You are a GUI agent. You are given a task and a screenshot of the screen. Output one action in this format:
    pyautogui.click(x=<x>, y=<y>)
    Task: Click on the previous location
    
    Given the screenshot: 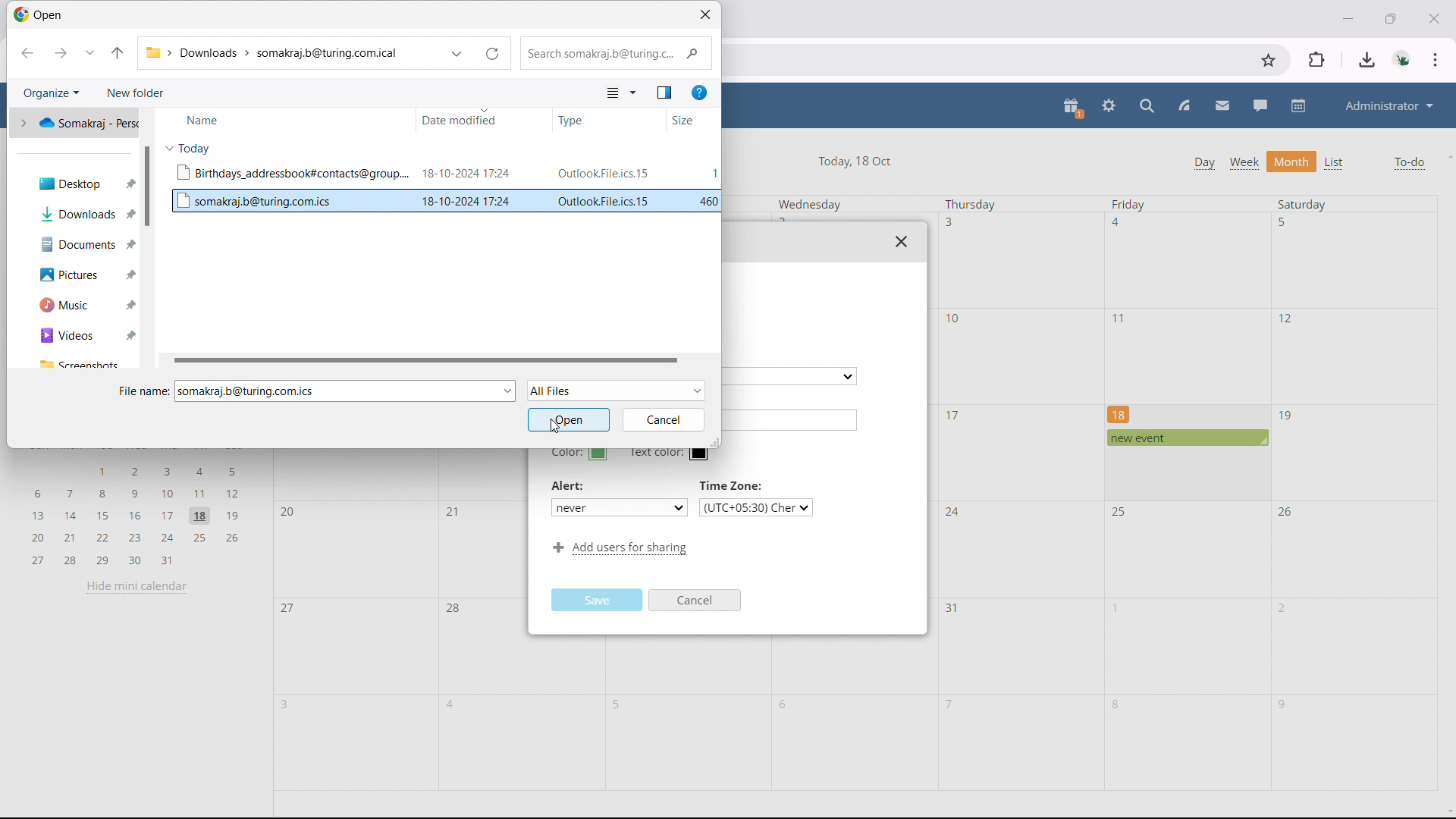 What is the action you would take?
    pyautogui.click(x=27, y=54)
    